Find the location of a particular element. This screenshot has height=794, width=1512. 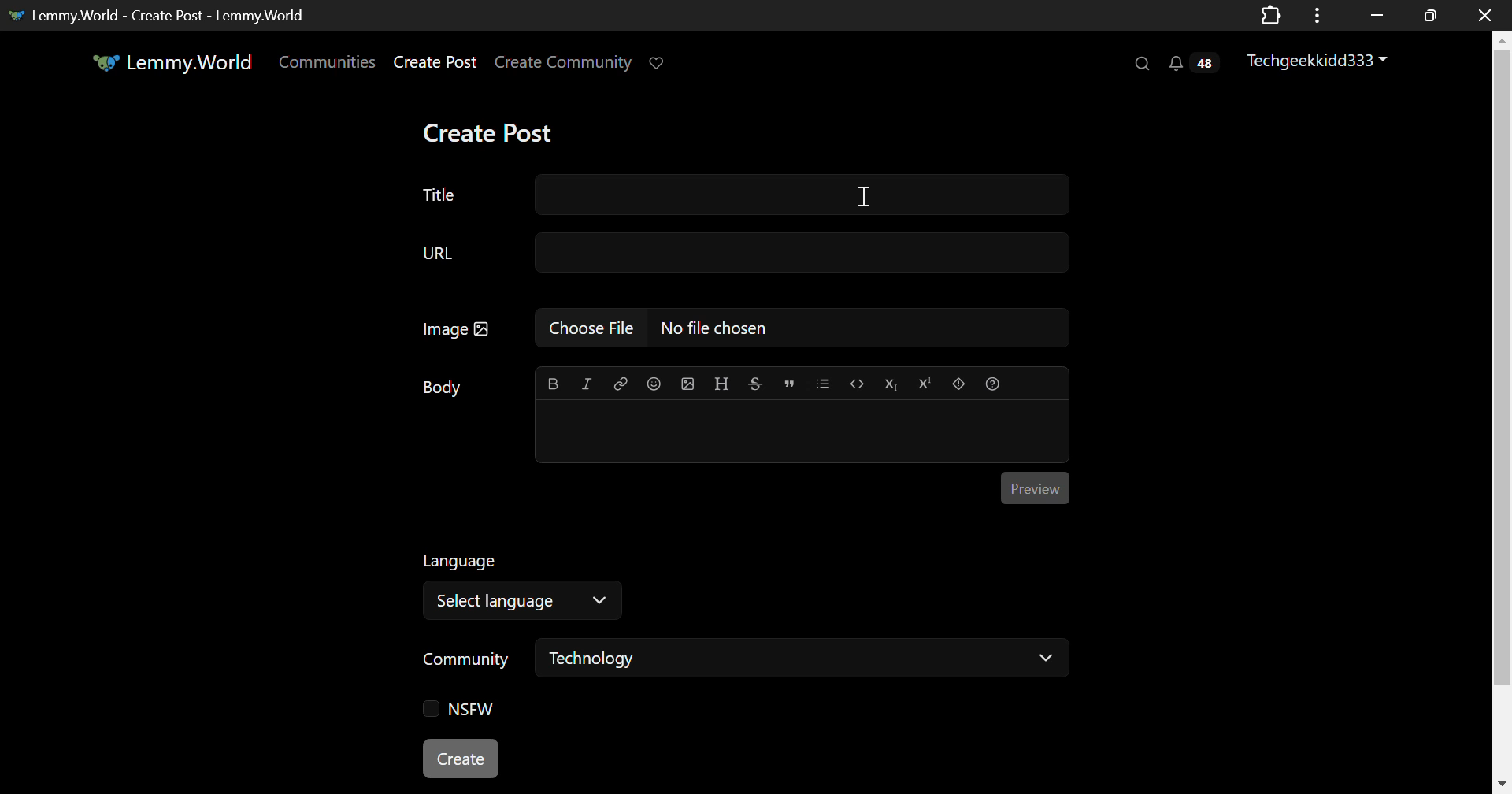

bold is located at coordinates (554, 384).